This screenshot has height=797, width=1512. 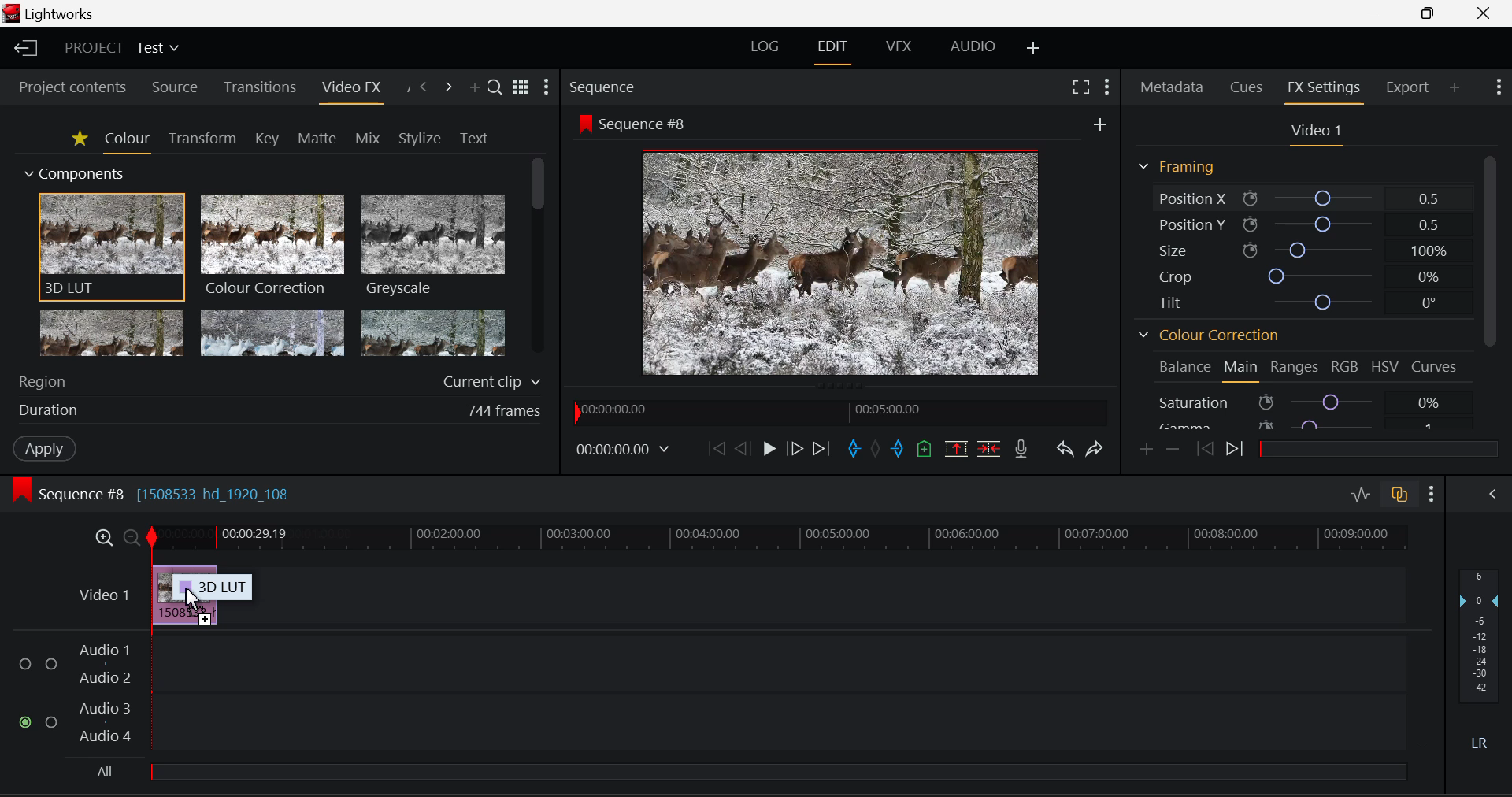 What do you see at coordinates (1235, 449) in the screenshot?
I see `Next keyframe` at bounding box center [1235, 449].